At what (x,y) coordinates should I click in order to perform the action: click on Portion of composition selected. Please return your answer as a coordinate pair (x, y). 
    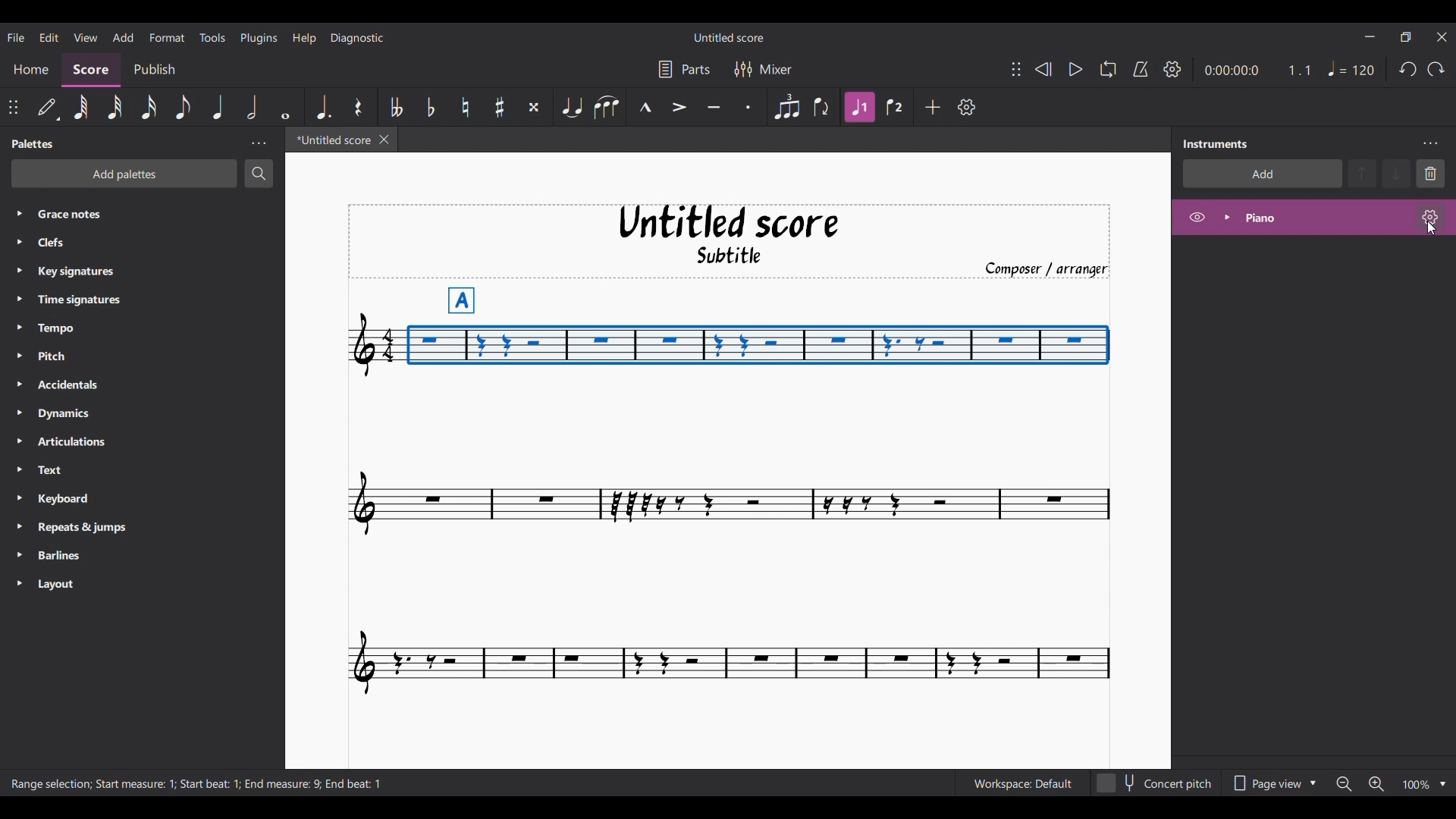
    Looking at the image, I should click on (758, 344).